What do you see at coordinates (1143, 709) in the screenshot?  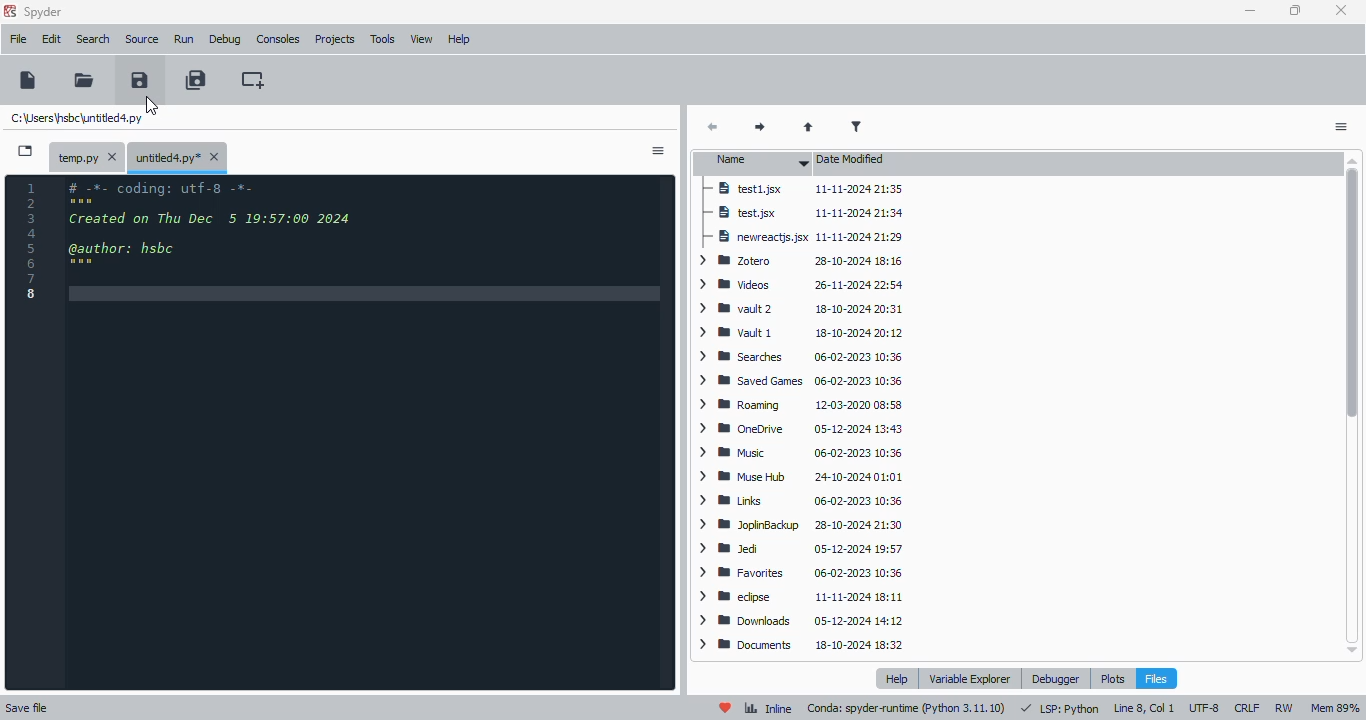 I see `line 8, col 1` at bounding box center [1143, 709].